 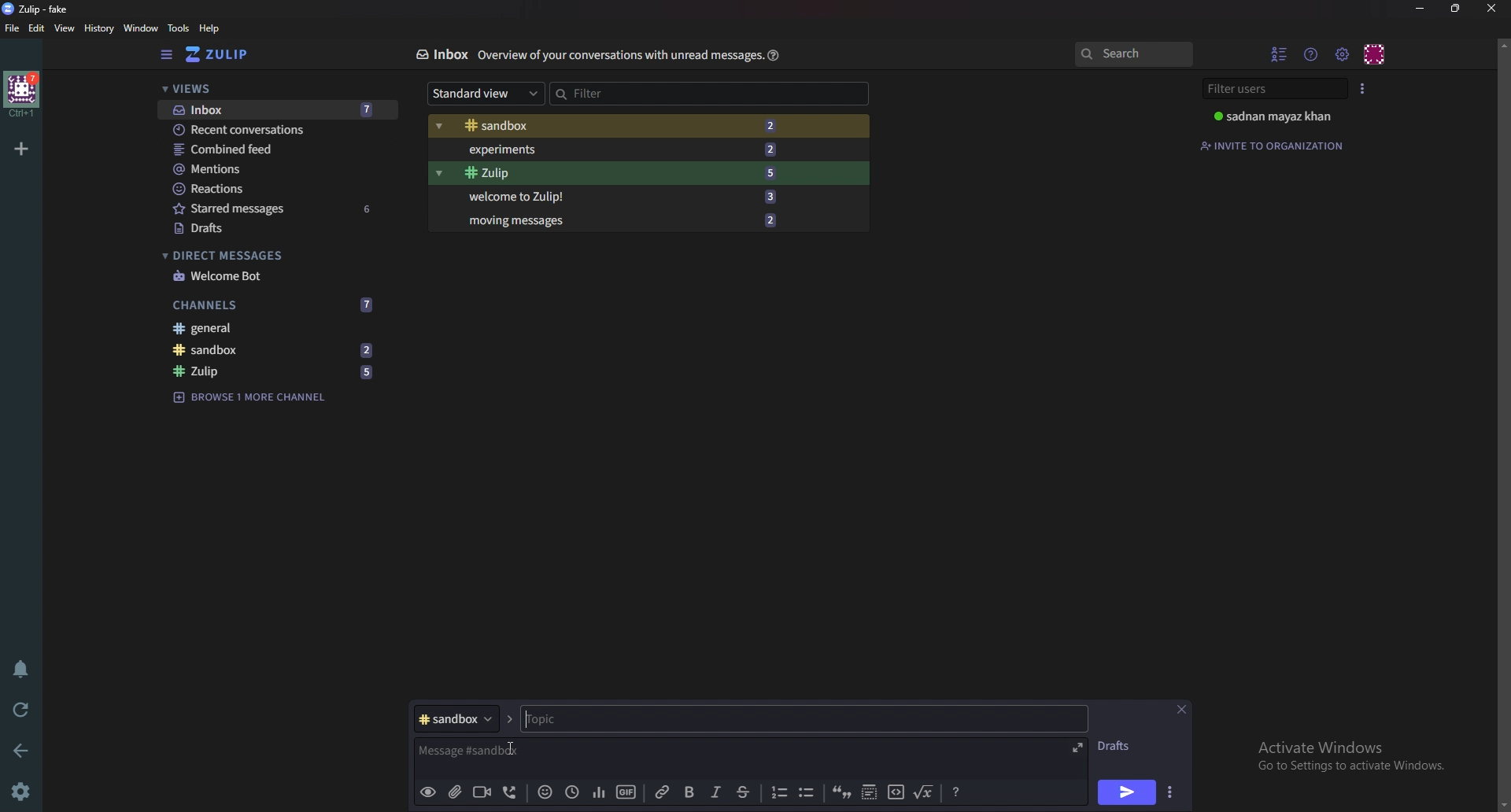 What do you see at coordinates (513, 792) in the screenshot?
I see `Voice call` at bounding box center [513, 792].